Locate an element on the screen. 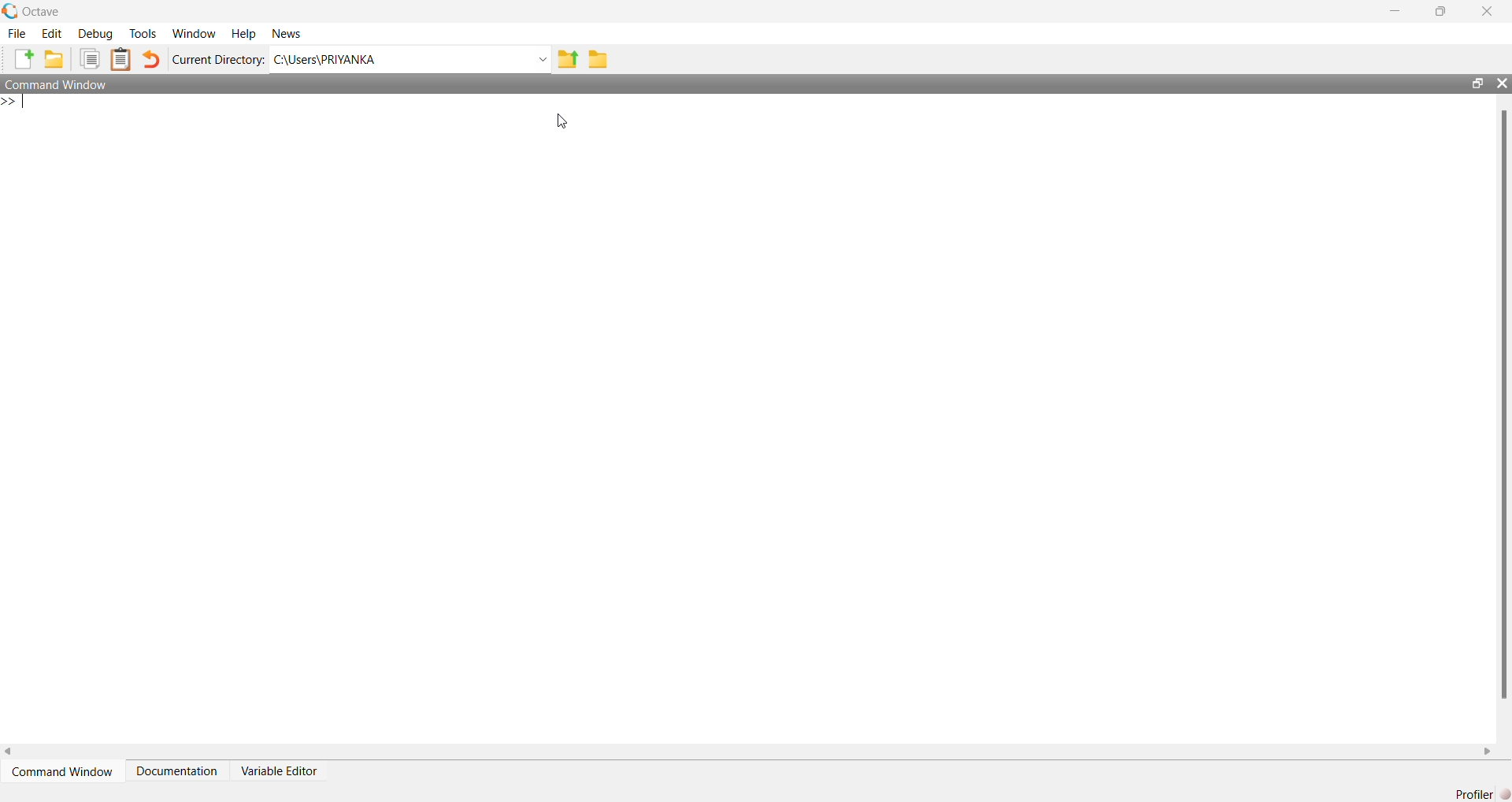 This screenshot has height=802, width=1512. news is located at coordinates (291, 34).